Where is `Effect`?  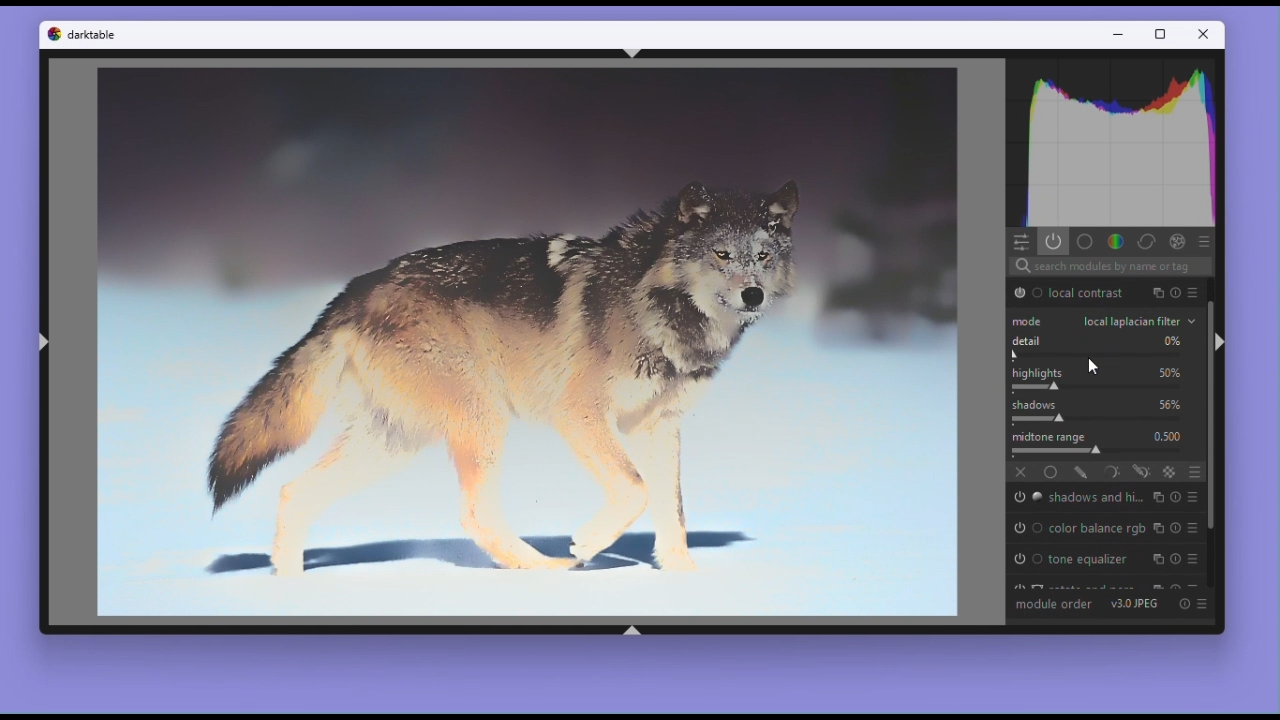
Effect is located at coordinates (1175, 242).